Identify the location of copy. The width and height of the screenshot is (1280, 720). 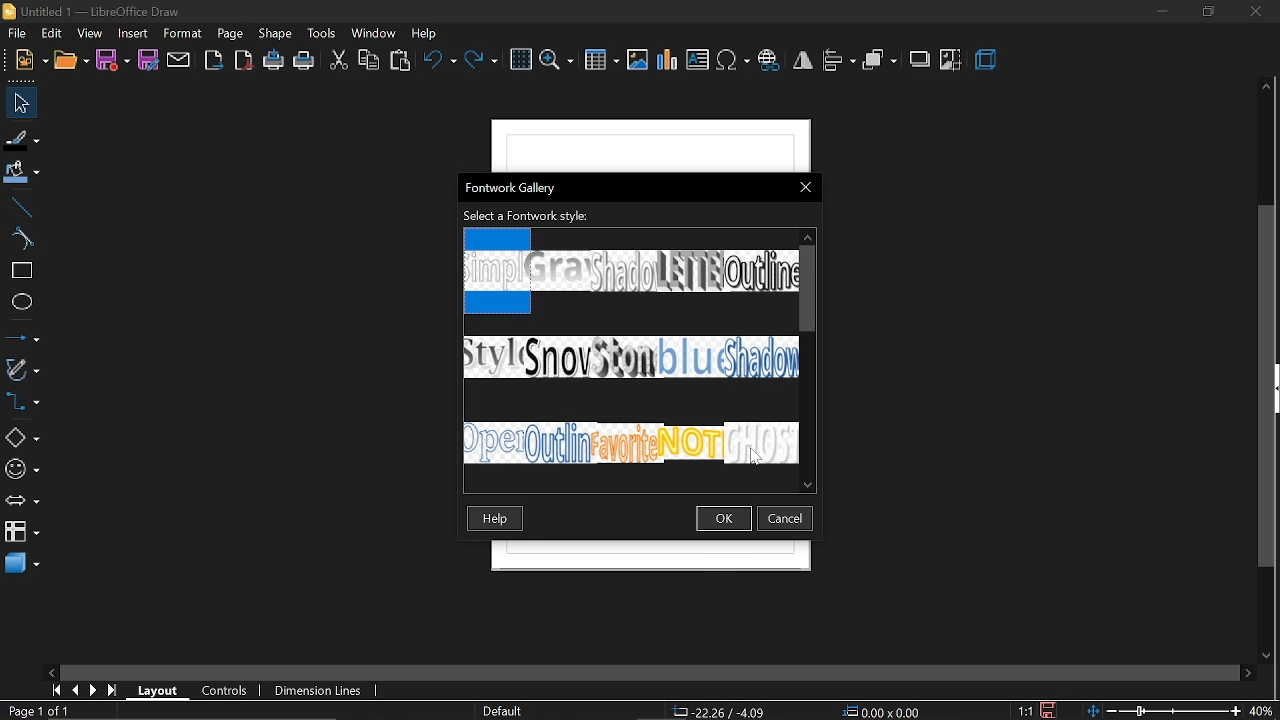
(370, 60).